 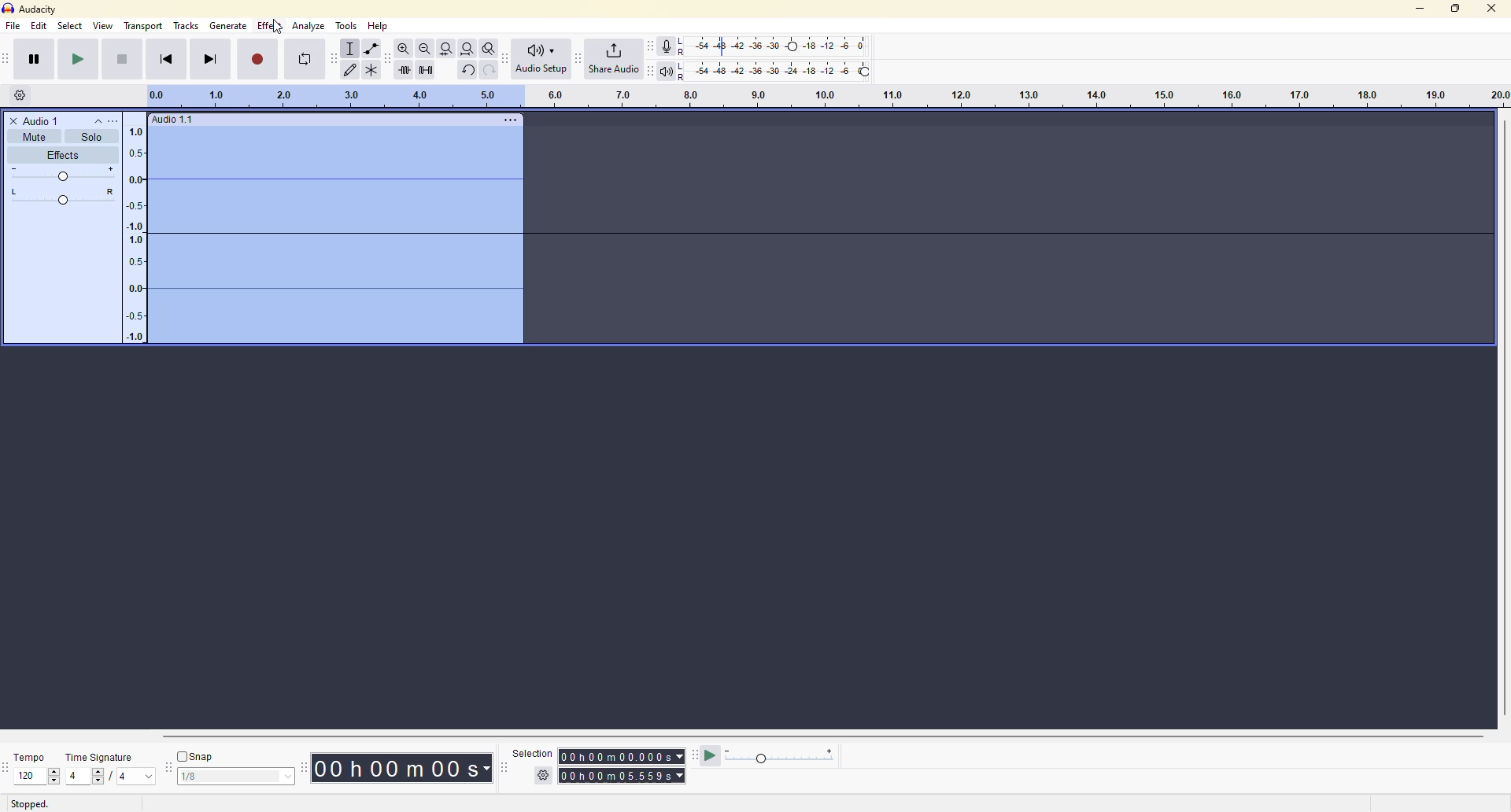 I want to click on gennerate, so click(x=227, y=25).